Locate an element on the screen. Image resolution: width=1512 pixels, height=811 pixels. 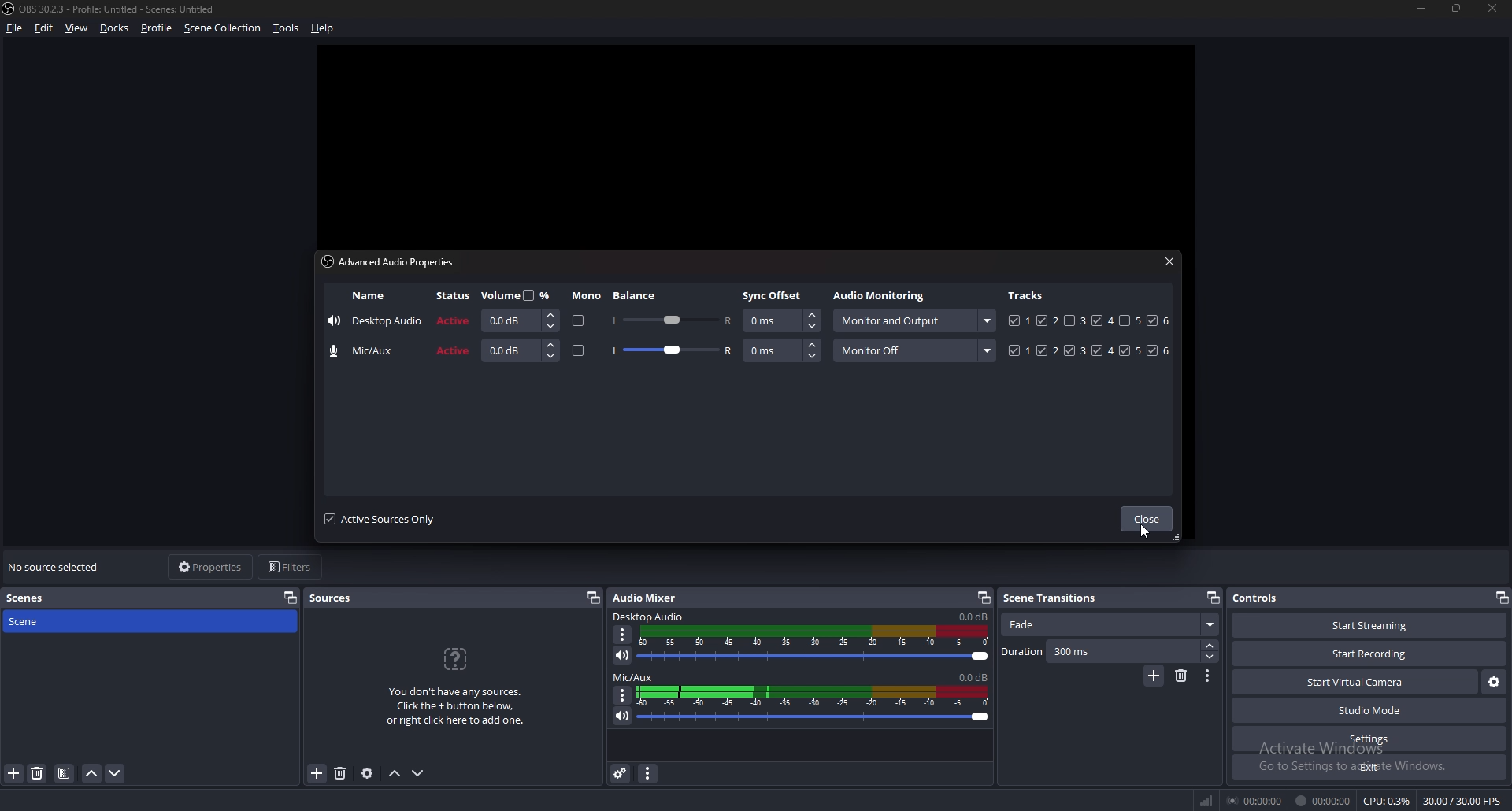
configure virtual camera is located at coordinates (1493, 683).